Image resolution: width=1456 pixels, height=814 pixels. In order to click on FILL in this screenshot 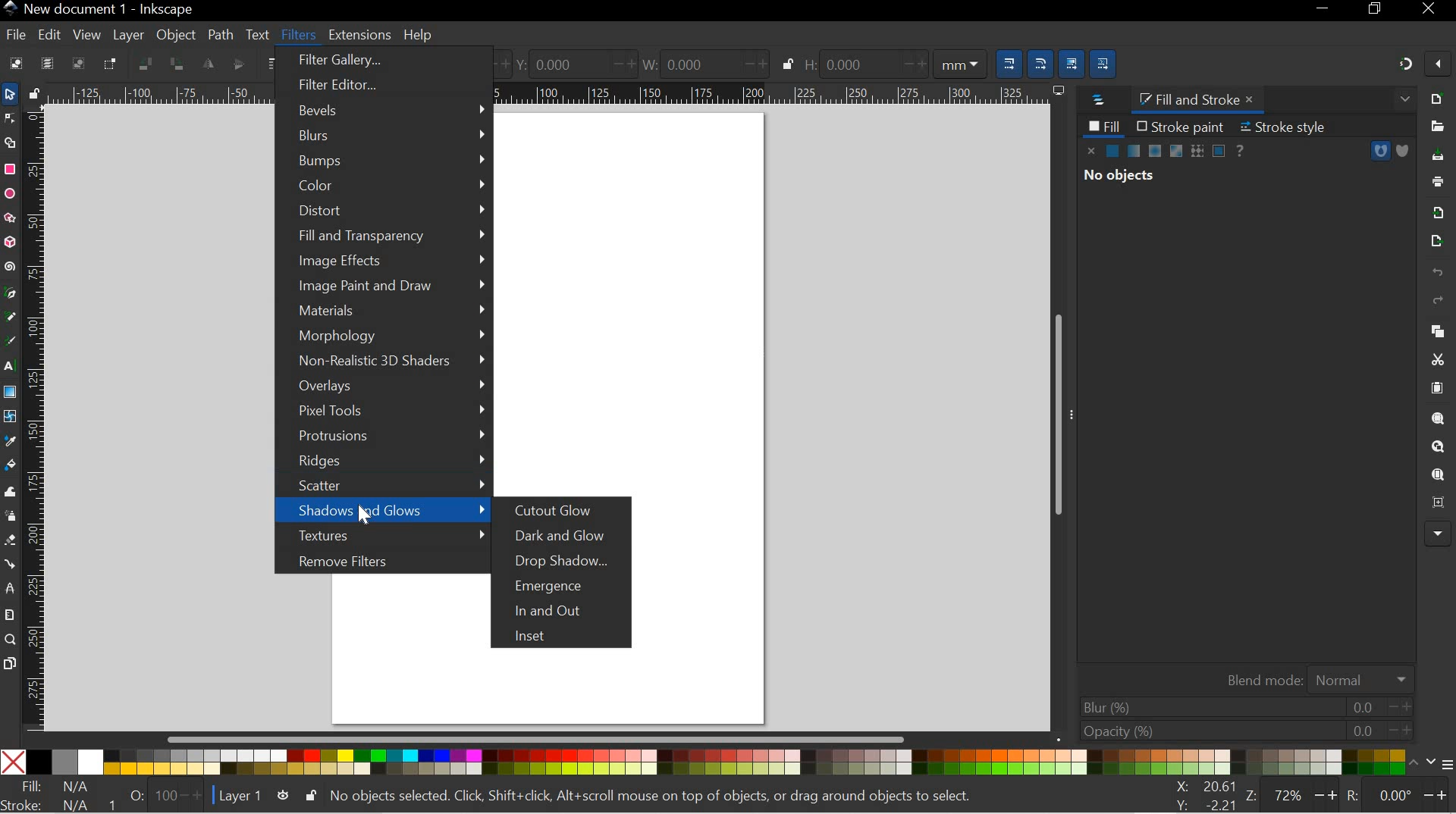, I will do `click(1104, 126)`.